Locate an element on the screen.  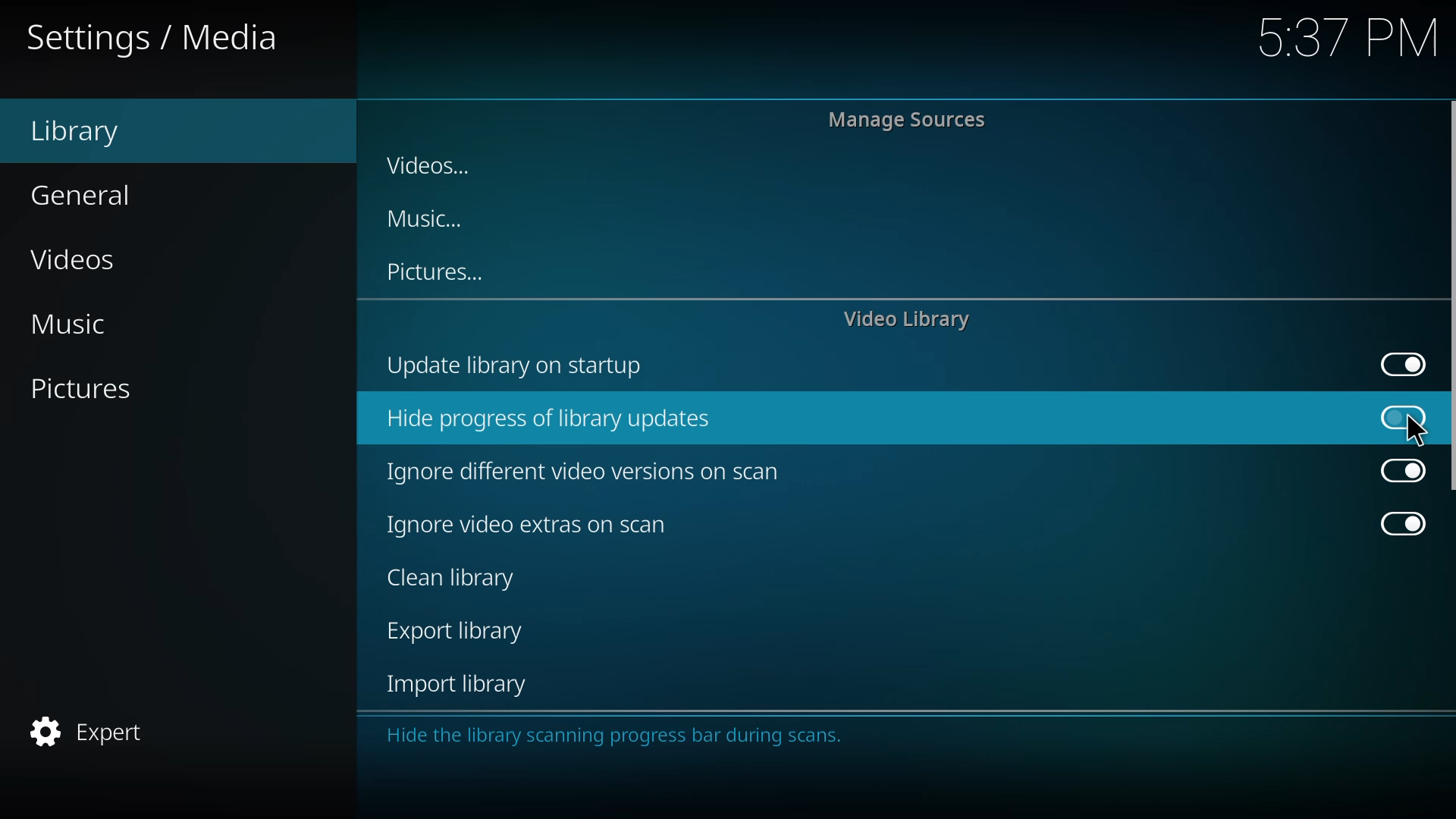
export library is located at coordinates (455, 629).